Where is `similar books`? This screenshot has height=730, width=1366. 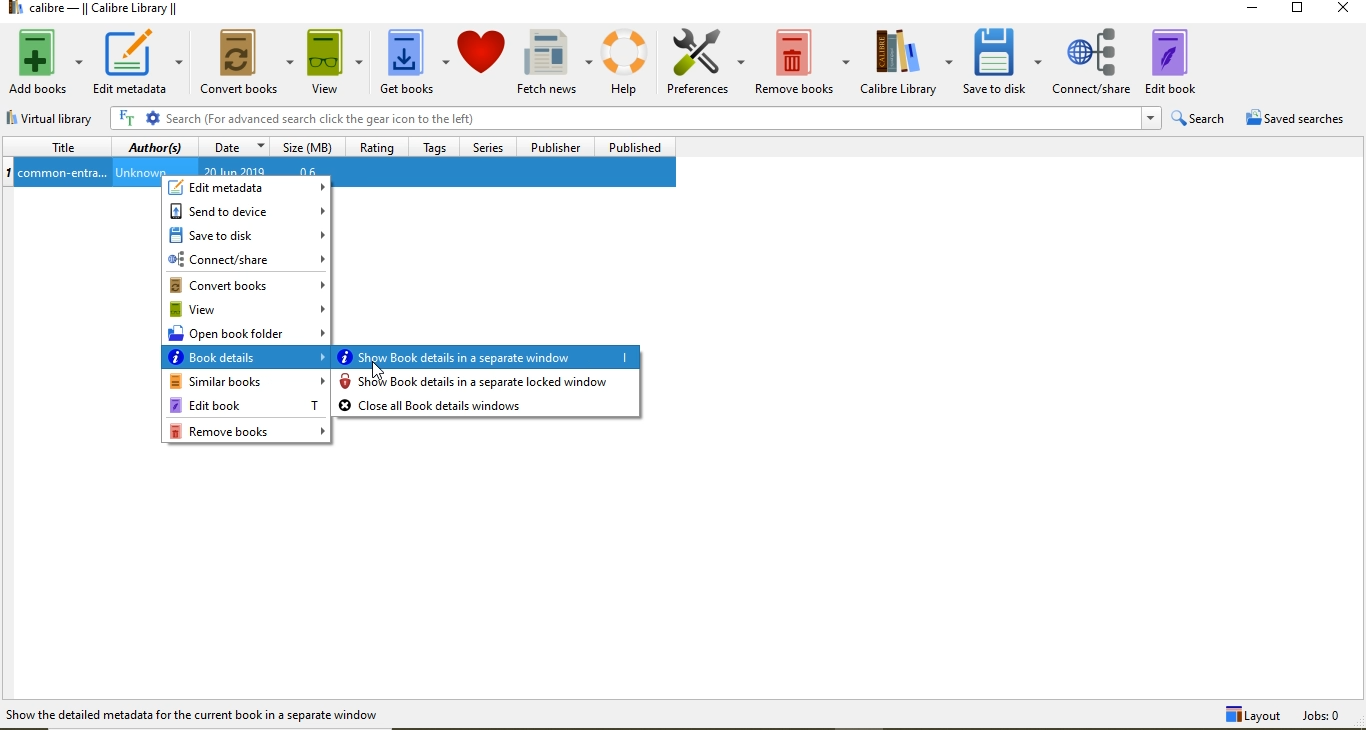
similar books is located at coordinates (246, 383).